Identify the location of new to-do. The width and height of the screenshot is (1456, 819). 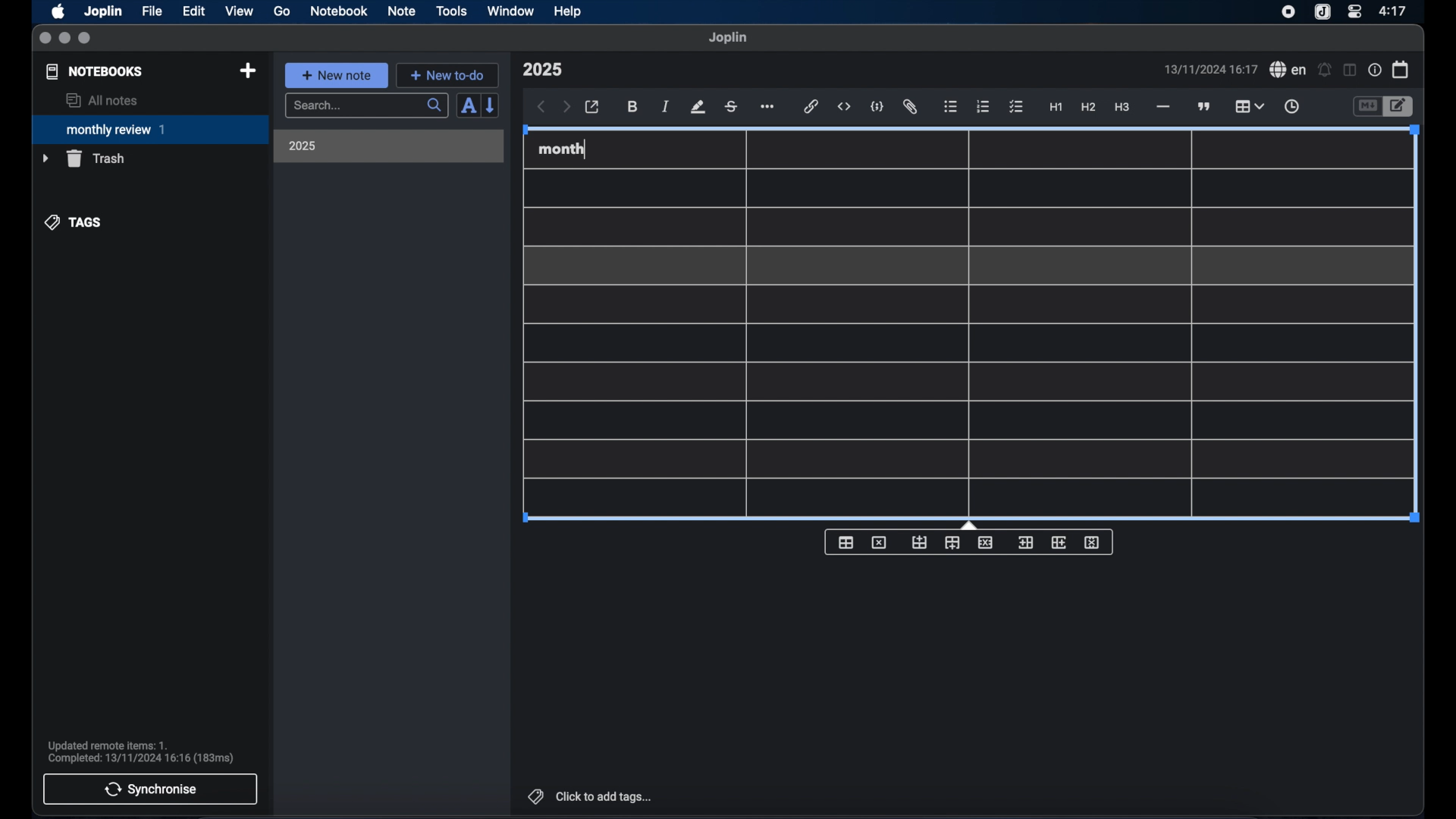
(448, 75).